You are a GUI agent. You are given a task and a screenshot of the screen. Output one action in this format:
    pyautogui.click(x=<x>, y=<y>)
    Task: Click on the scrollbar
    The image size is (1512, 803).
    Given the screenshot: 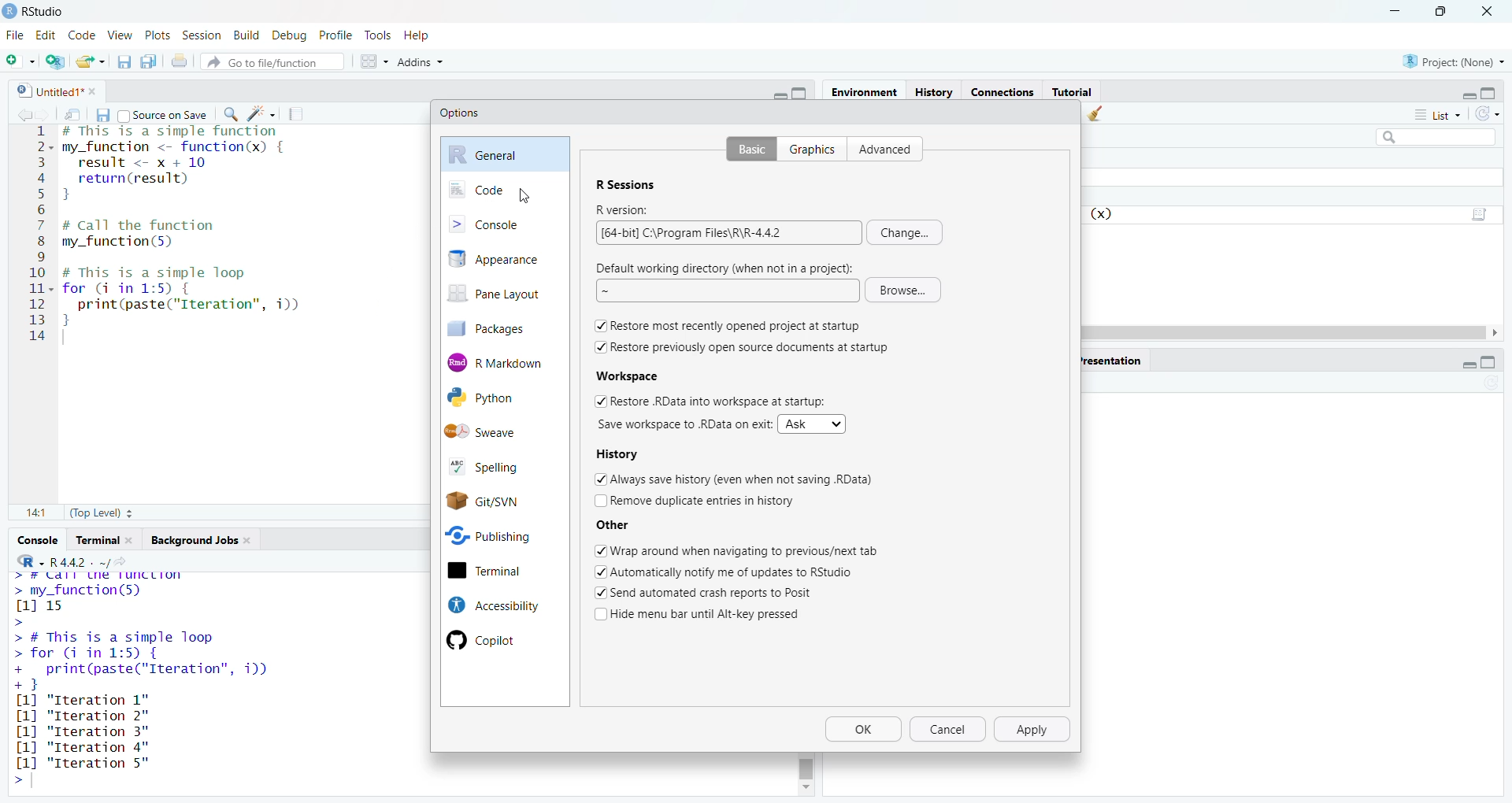 What is the action you would take?
    pyautogui.click(x=1287, y=332)
    